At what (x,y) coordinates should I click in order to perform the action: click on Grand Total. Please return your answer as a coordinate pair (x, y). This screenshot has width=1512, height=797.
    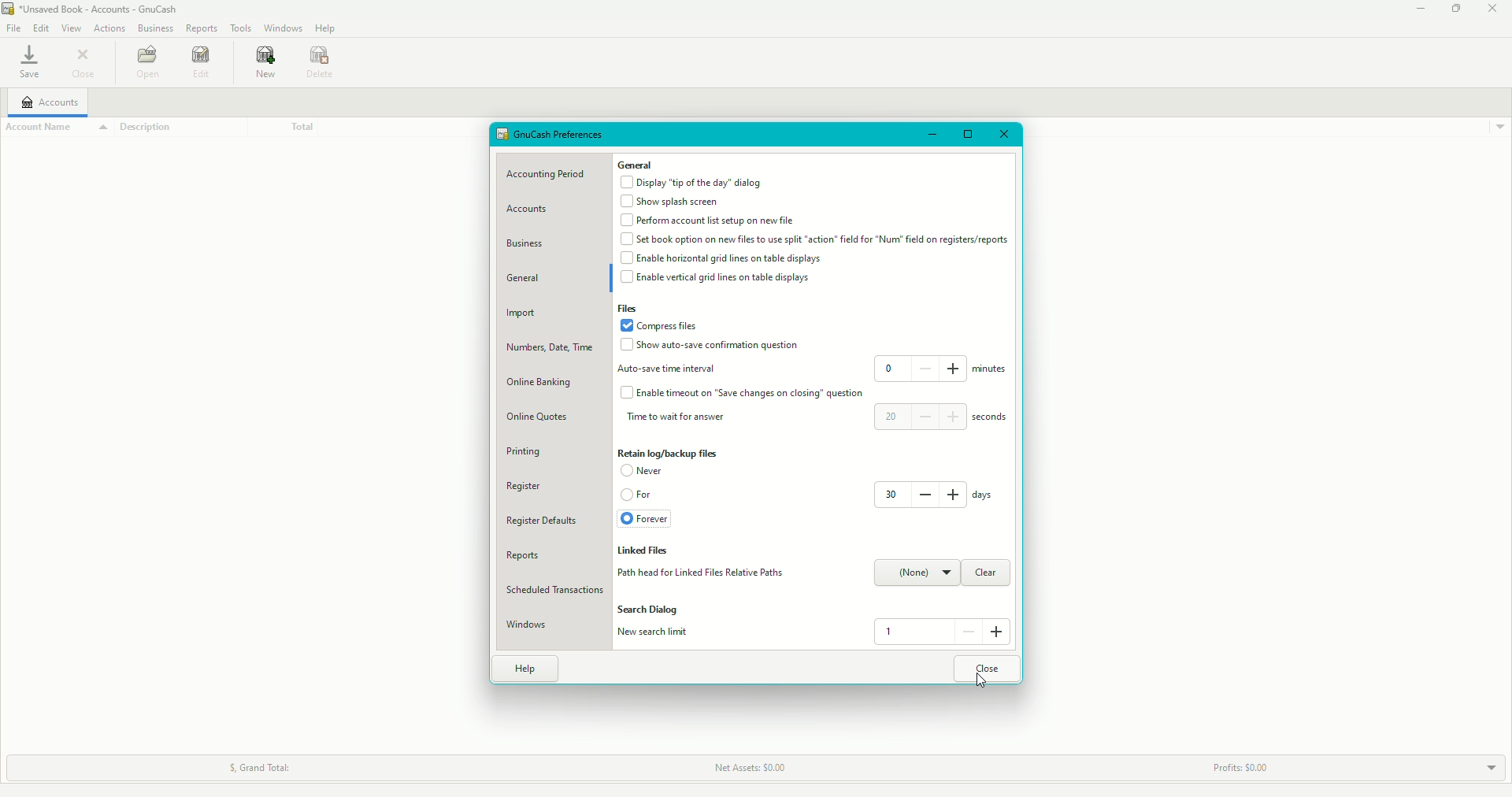
    Looking at the image, I should click on (253, 768).